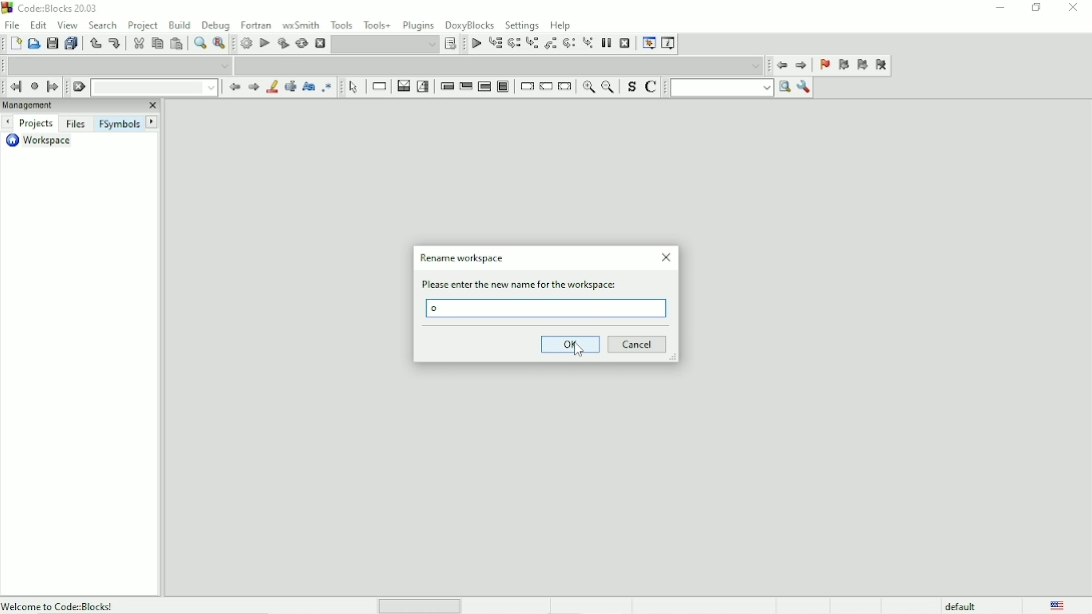  Describe the element at coordinates (271, 87) in the screenshot. I see `Highlight` at that location.